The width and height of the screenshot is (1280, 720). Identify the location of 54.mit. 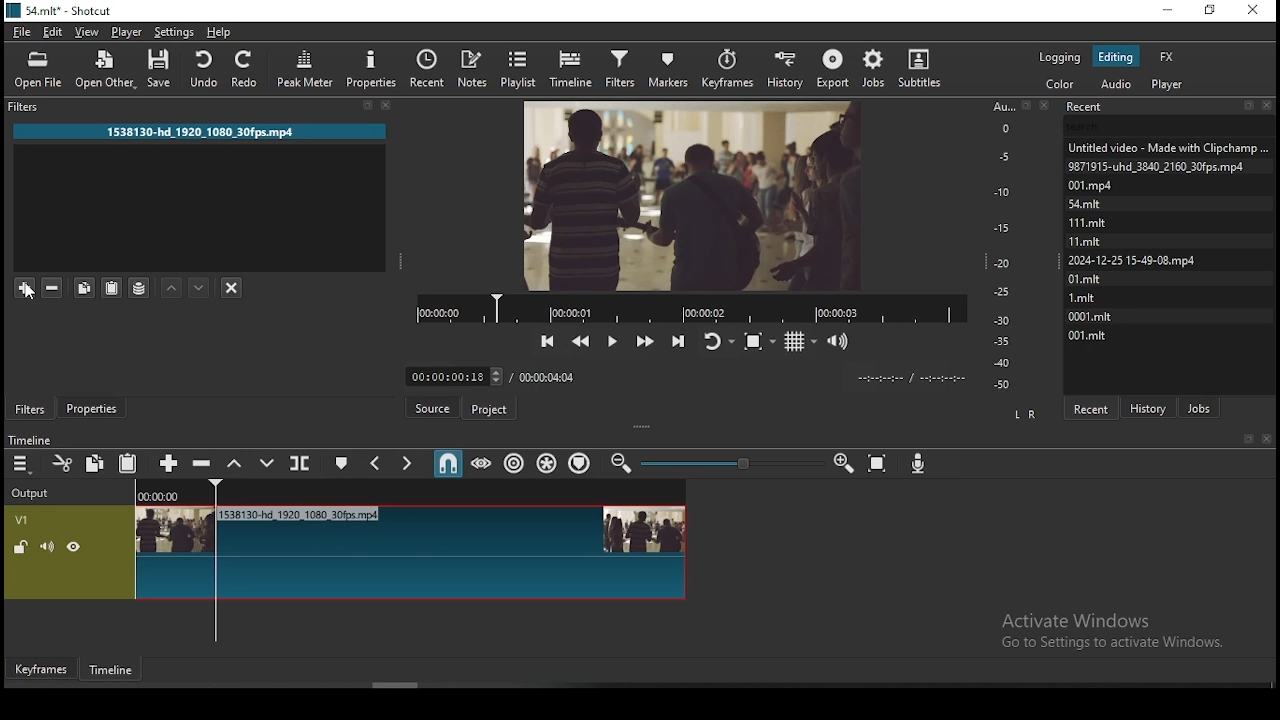
(1084, 203).